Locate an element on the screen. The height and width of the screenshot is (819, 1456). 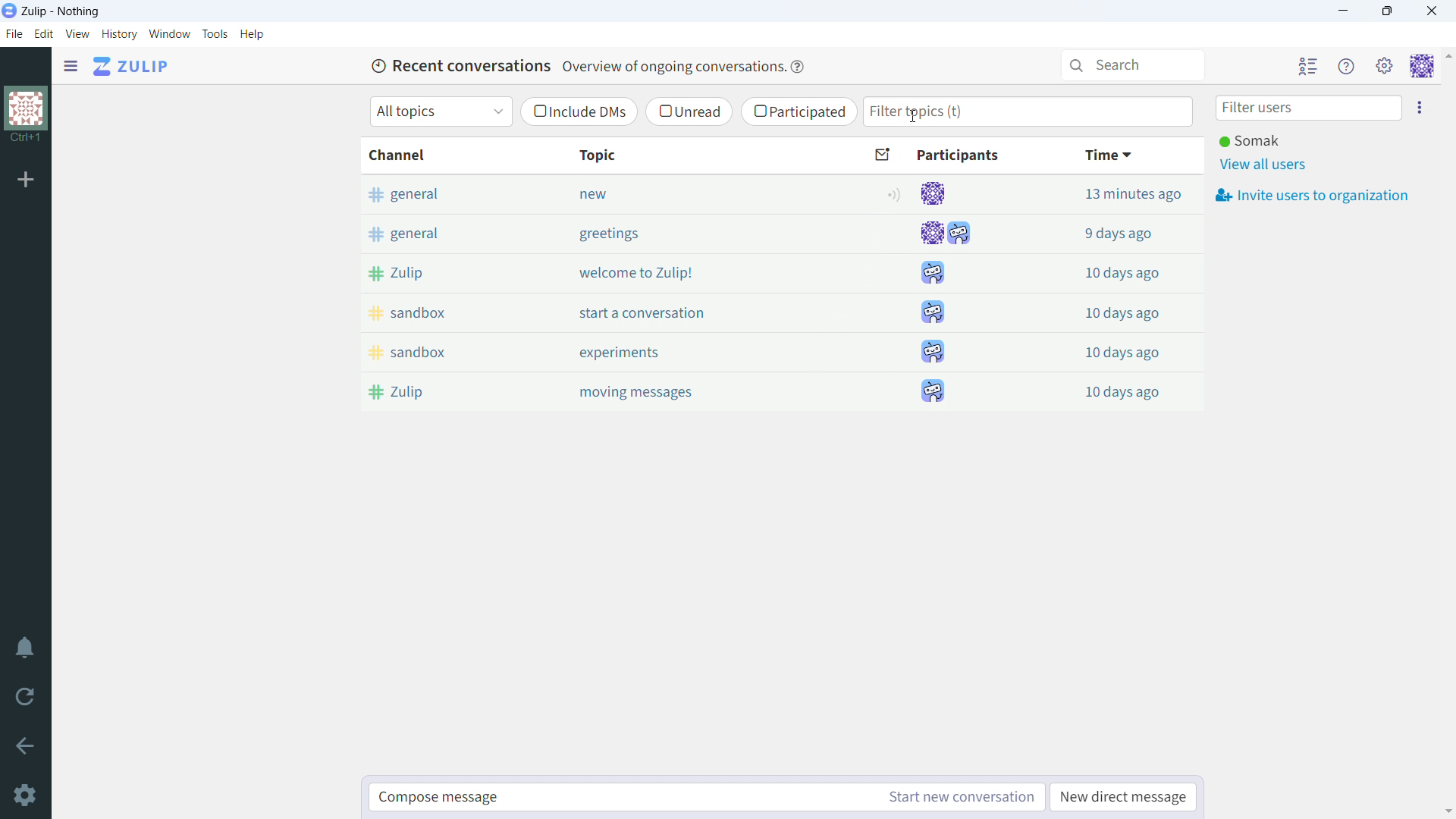
invite users is located at coordinates (1420, 107).